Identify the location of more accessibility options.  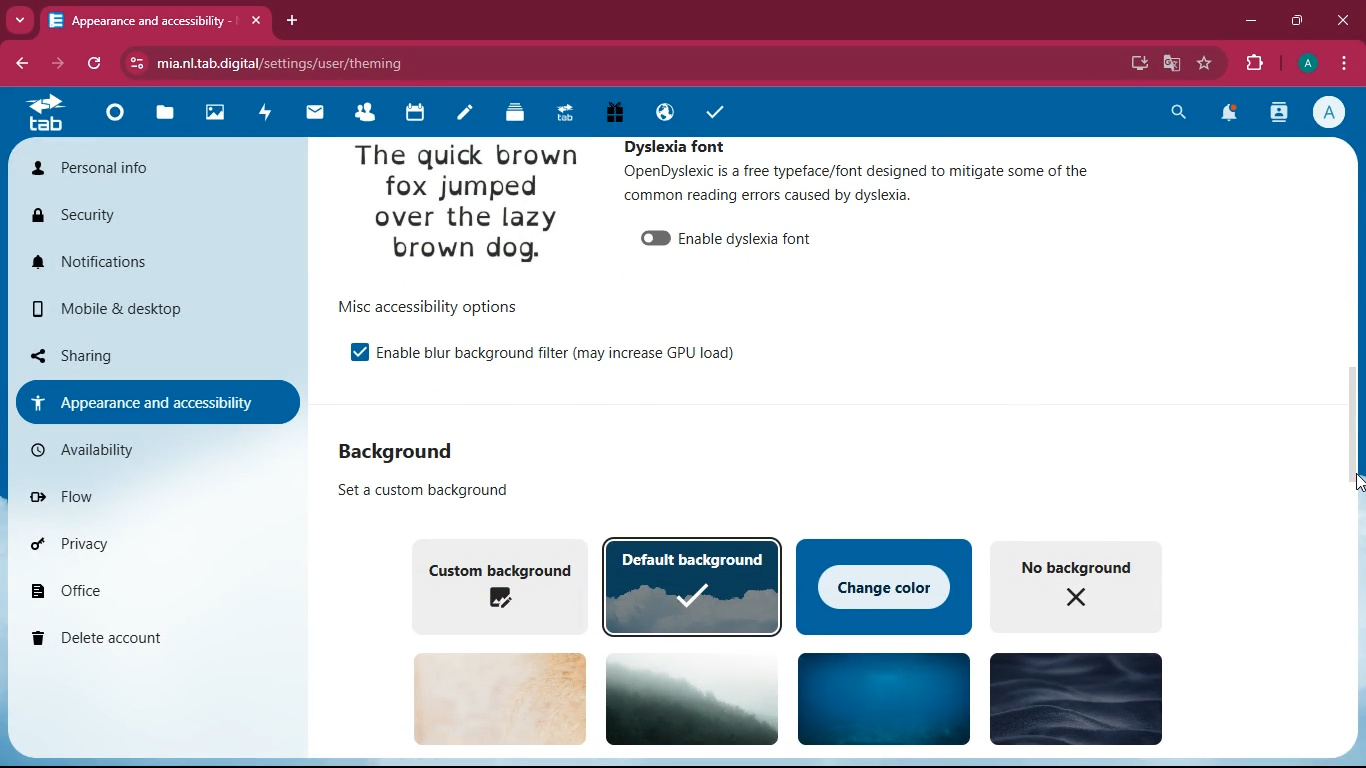
(442, 306).